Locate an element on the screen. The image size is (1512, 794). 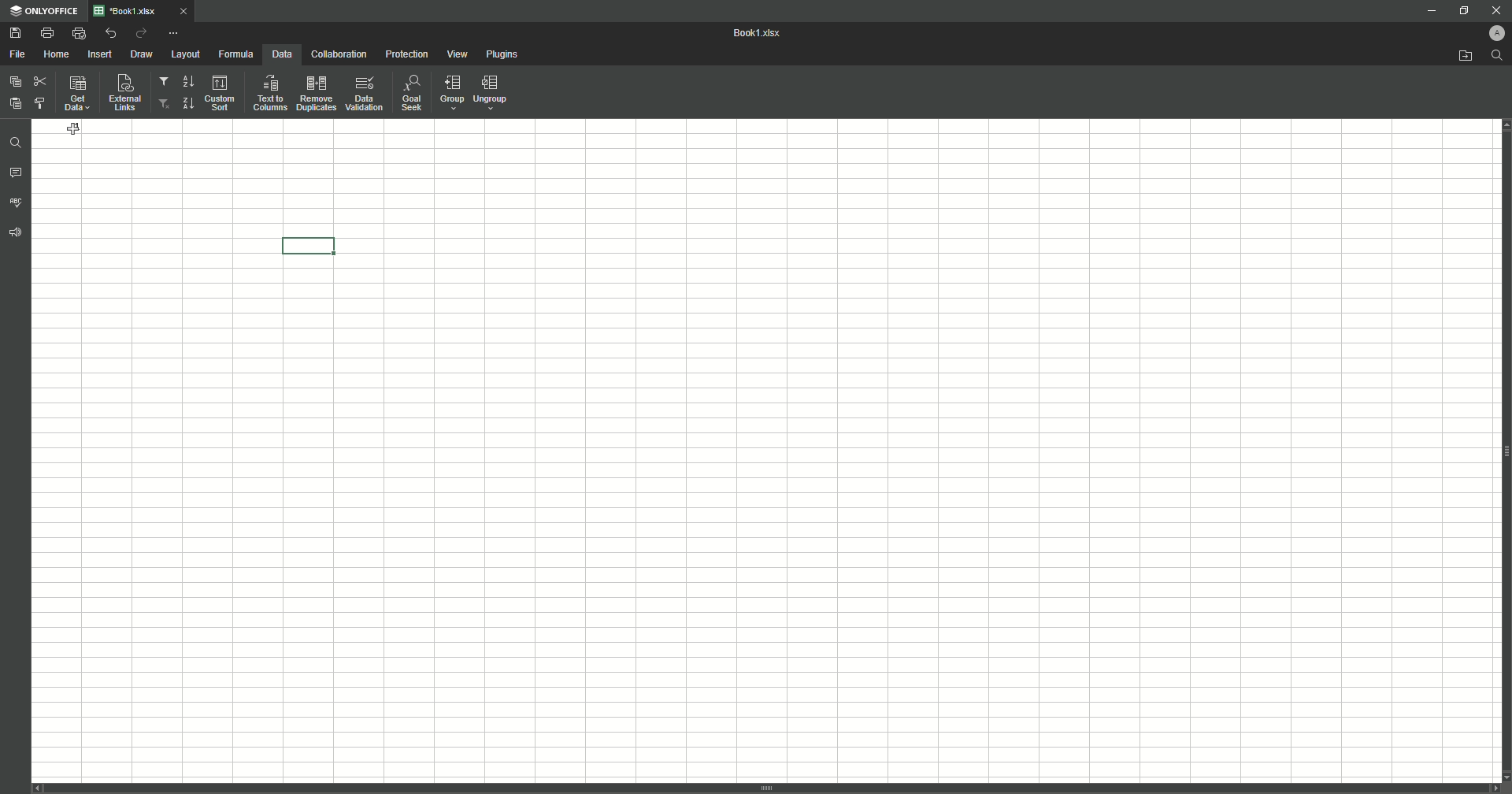
Selected cell is located at coordinates (312, 244).